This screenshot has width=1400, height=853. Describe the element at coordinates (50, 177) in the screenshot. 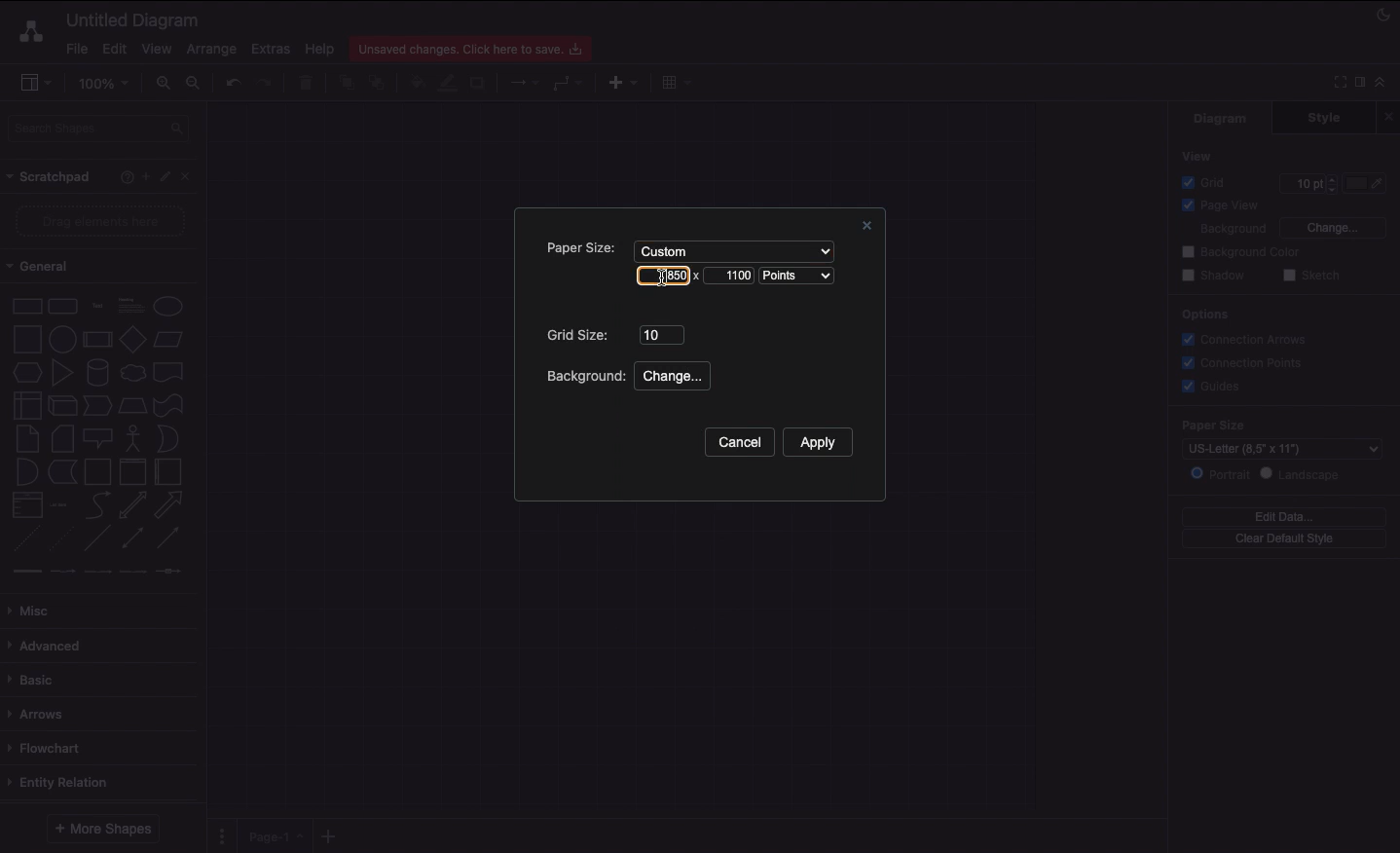

I see `Scrathpad` at that location.